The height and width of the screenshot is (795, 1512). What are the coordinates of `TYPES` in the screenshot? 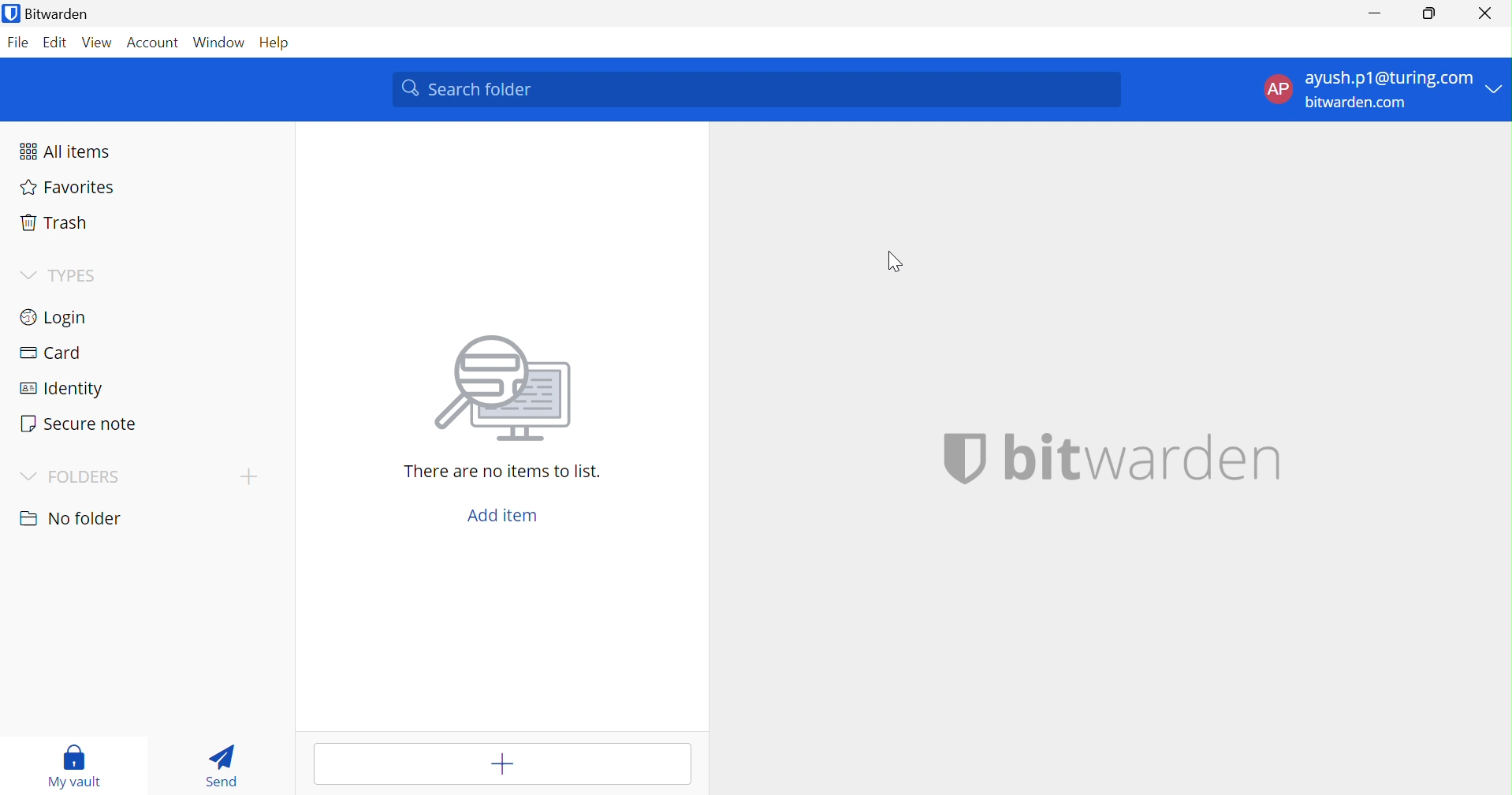 It's located at (87, 277).